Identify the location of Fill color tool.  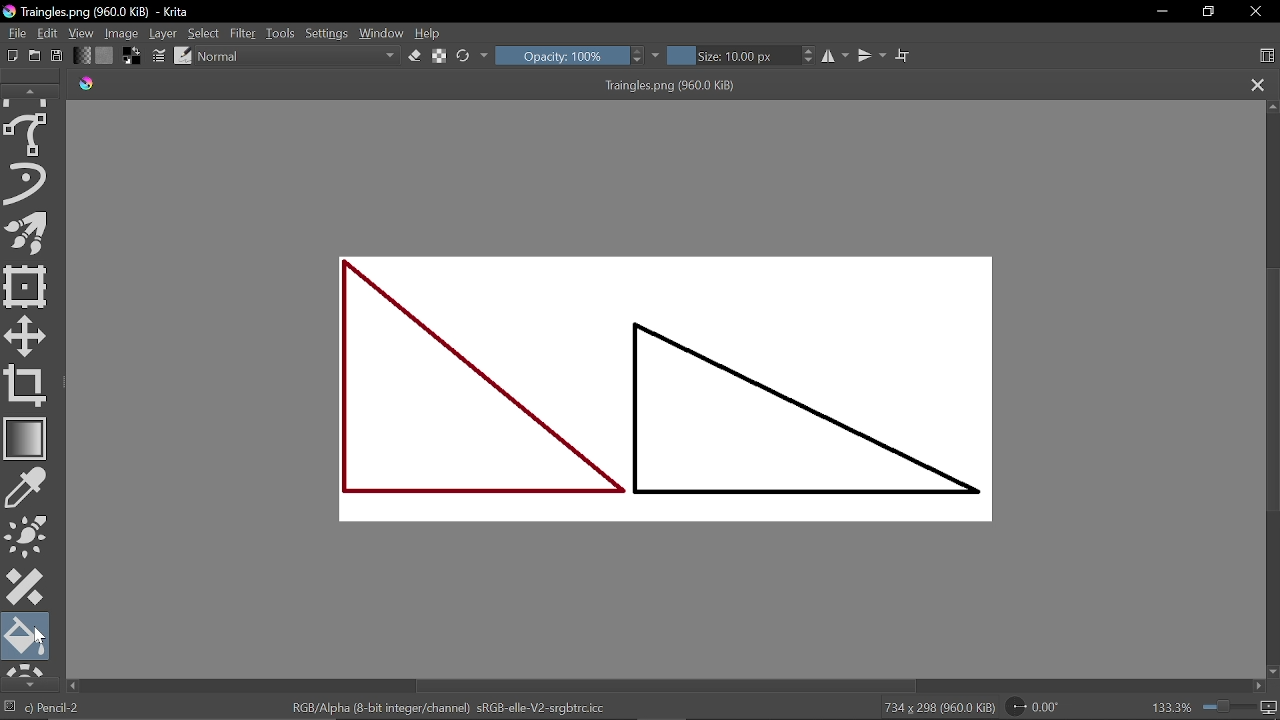
(27, 636).